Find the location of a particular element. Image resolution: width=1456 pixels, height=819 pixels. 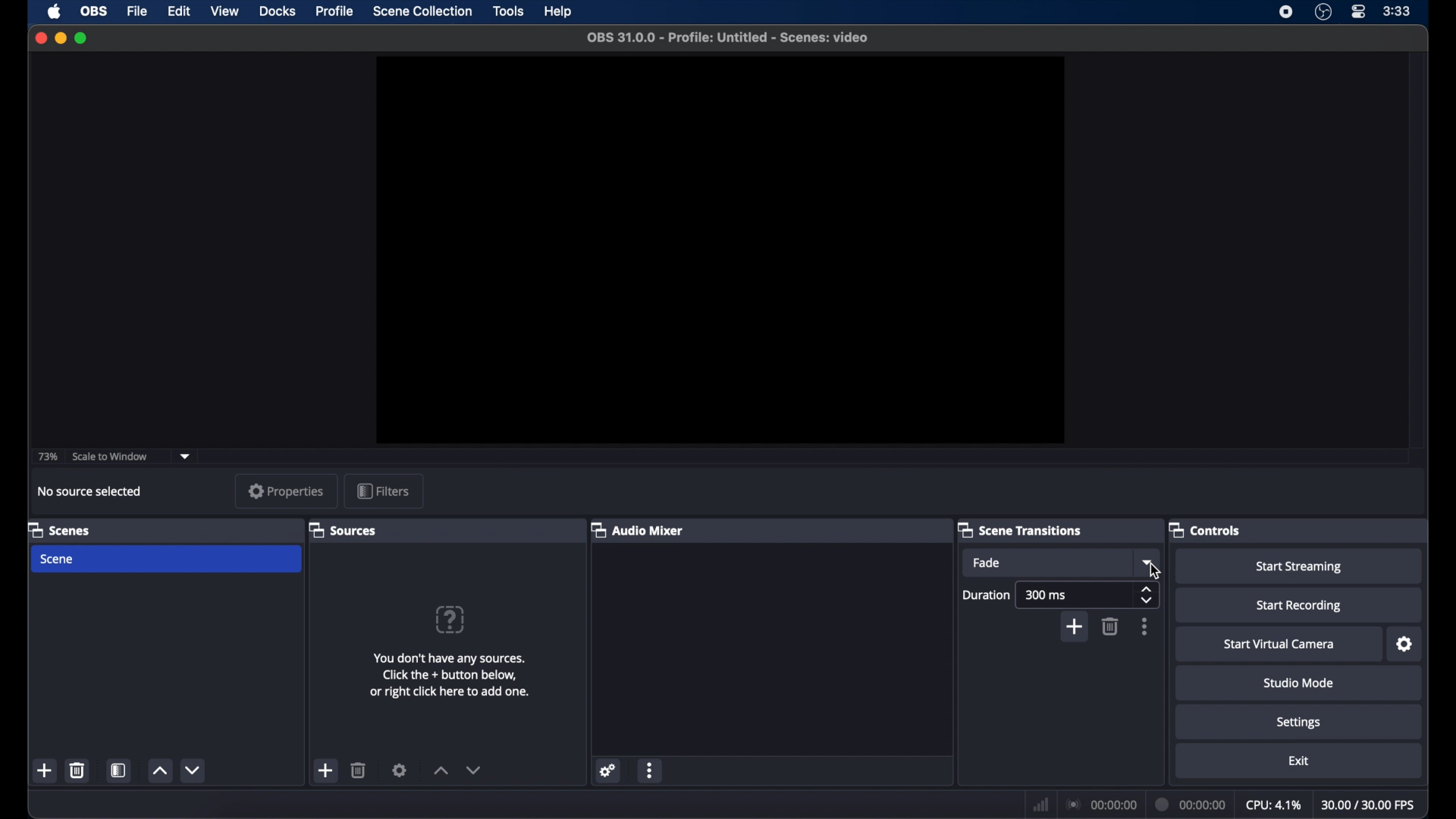

docks is located at coordinates (278, 11).